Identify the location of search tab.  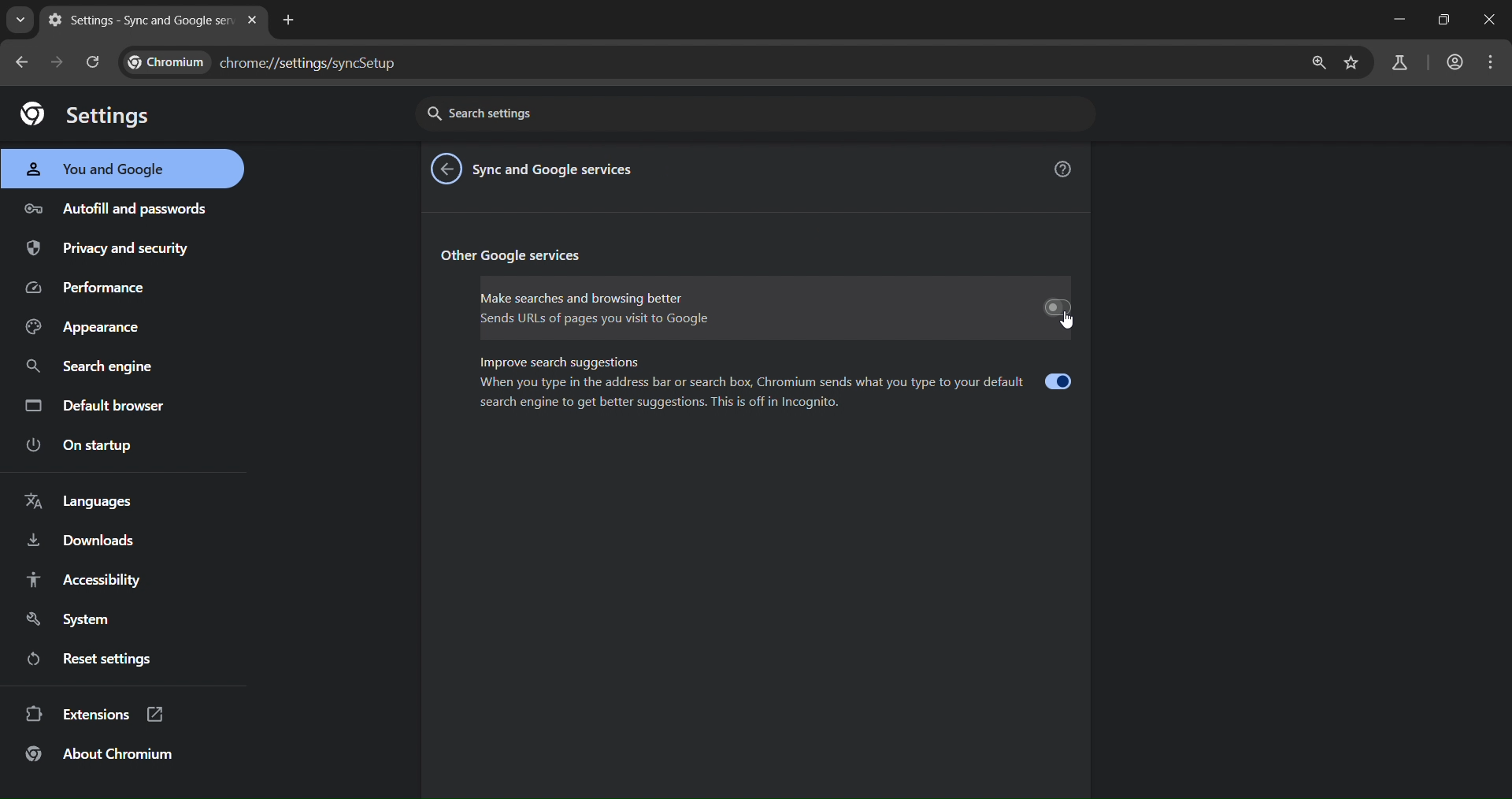
(20, 21).